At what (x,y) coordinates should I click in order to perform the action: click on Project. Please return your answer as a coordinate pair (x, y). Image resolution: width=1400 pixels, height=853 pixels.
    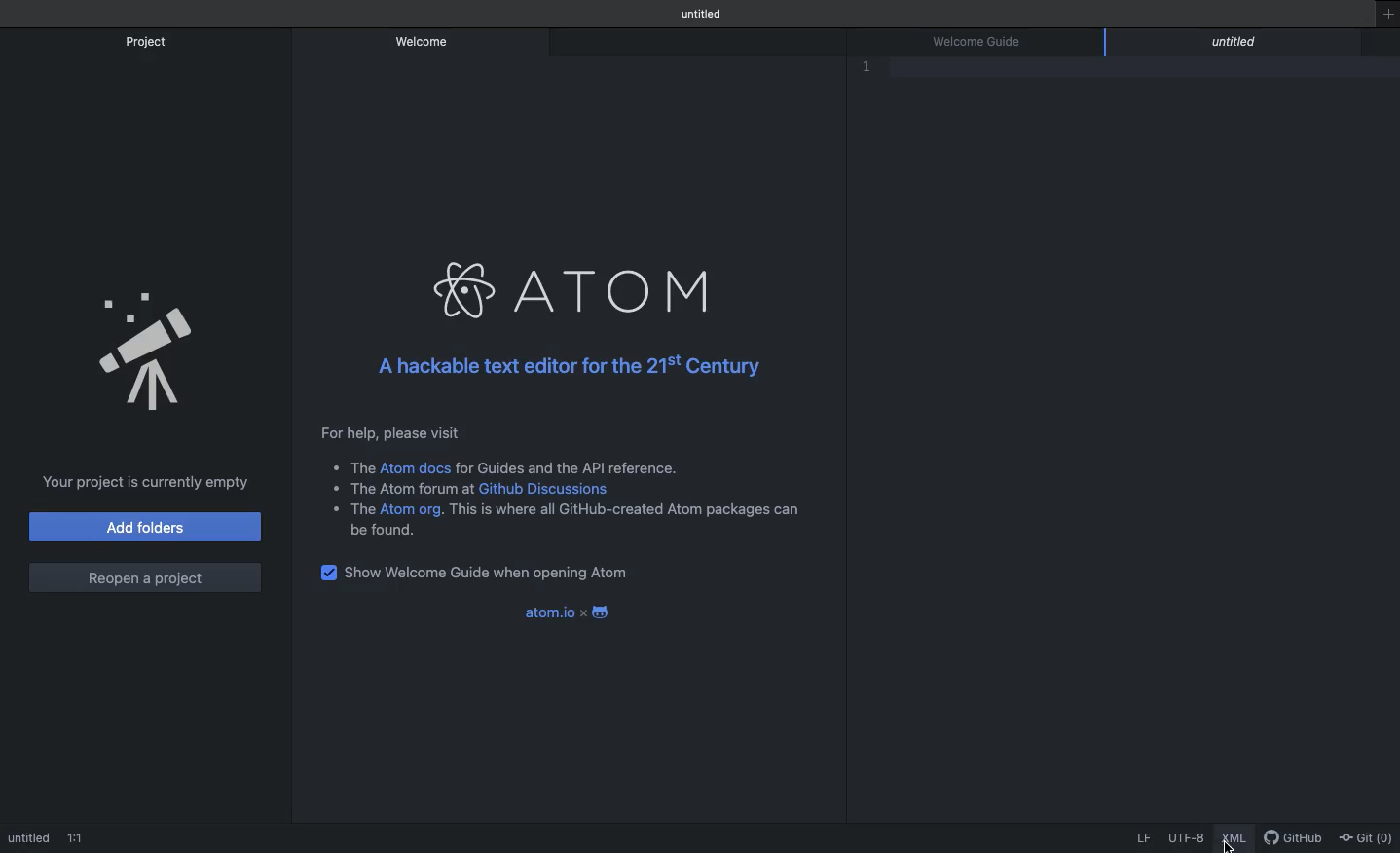
    Looking at the image, I should click on (147, 42).